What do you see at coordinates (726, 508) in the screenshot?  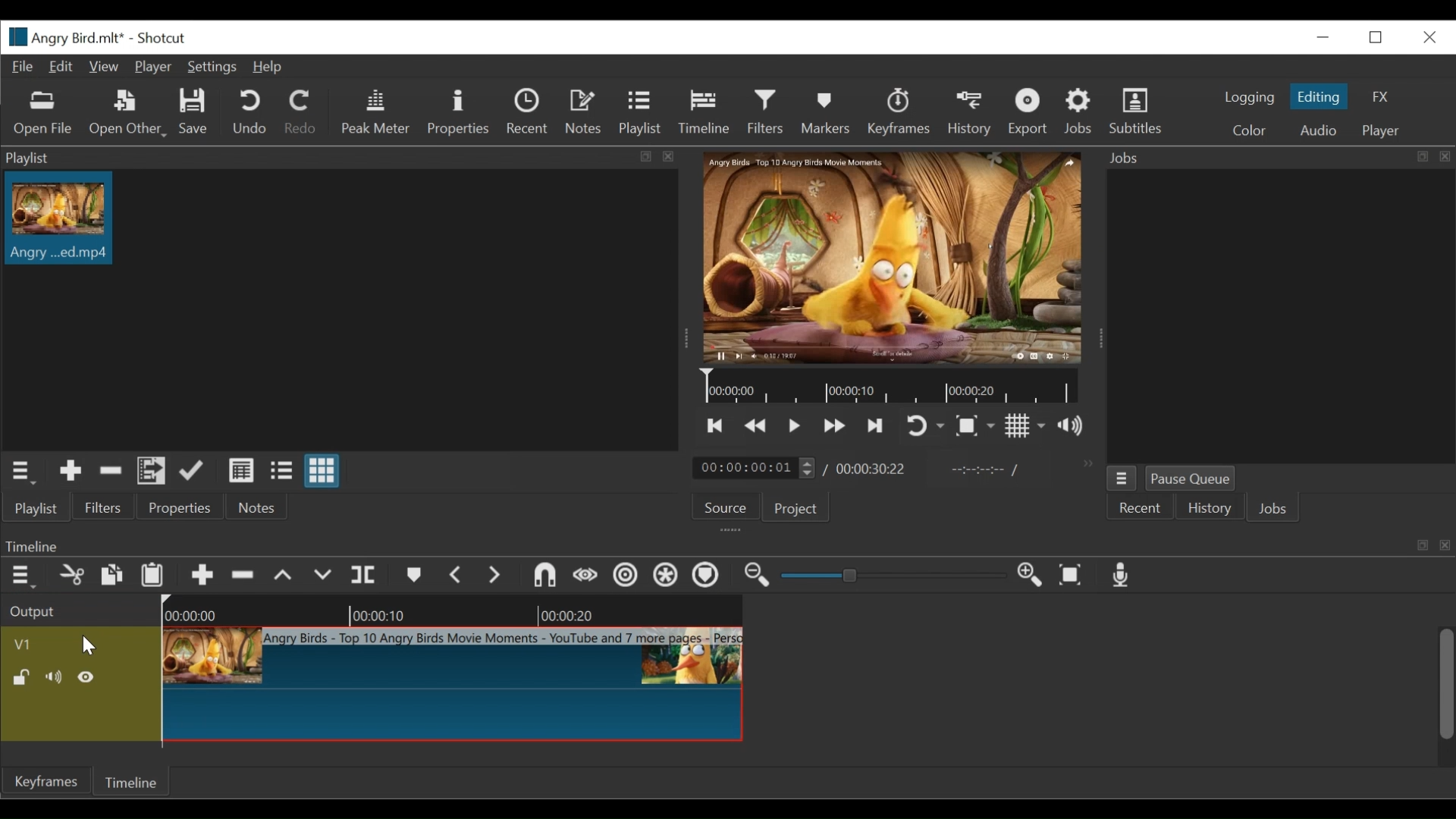 I see `Source` at bounding box center [726, 508].